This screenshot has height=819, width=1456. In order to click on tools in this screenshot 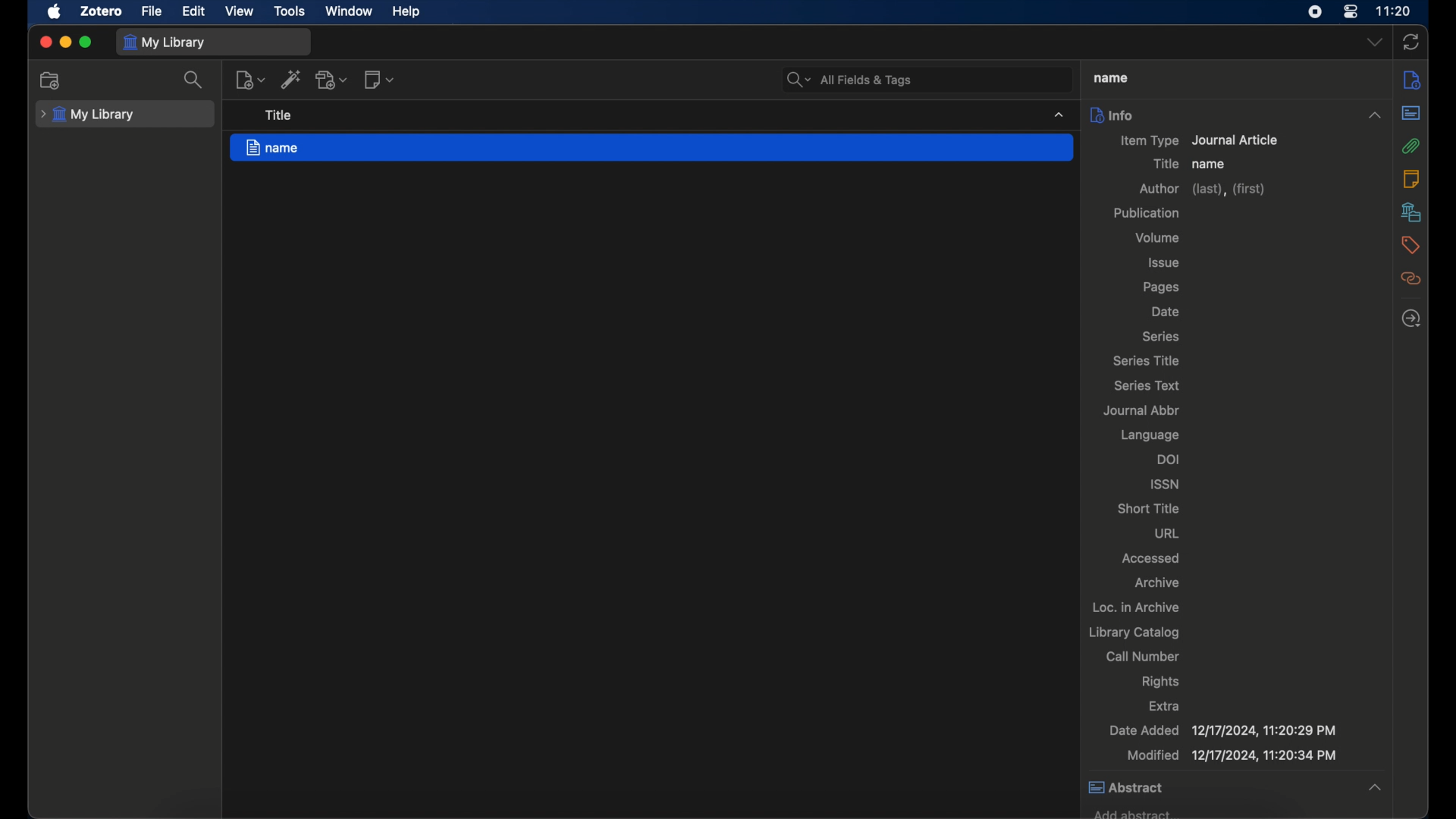, I will do `click(290, 11)`.